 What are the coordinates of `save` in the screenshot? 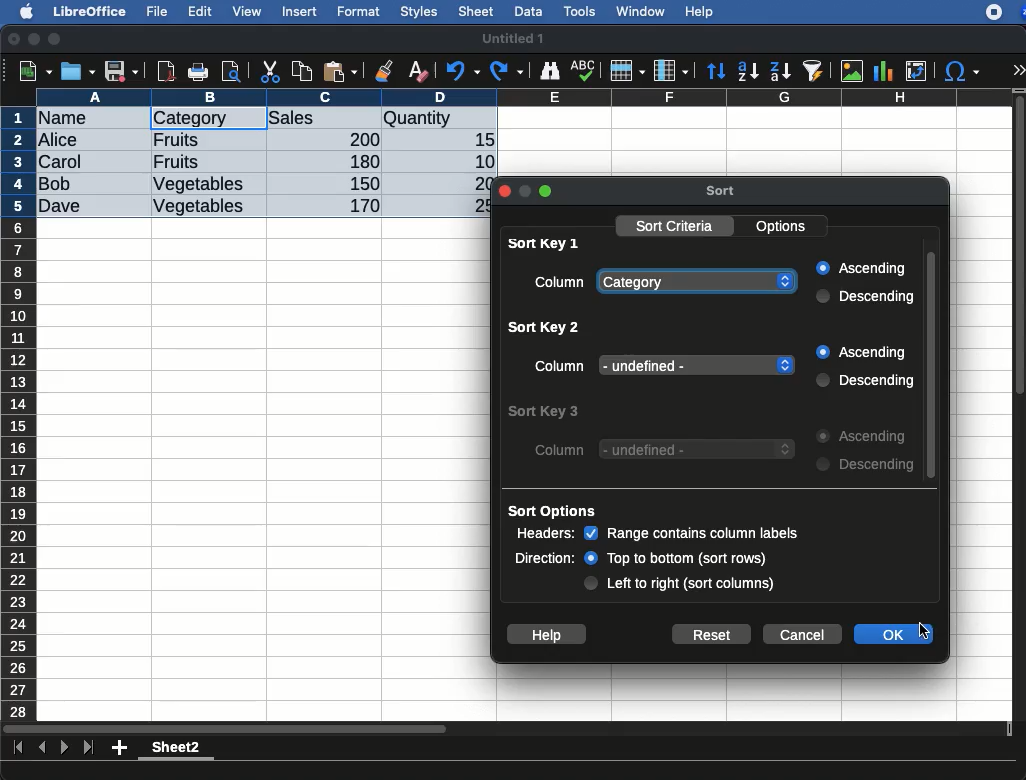 It's located at (79, 71).